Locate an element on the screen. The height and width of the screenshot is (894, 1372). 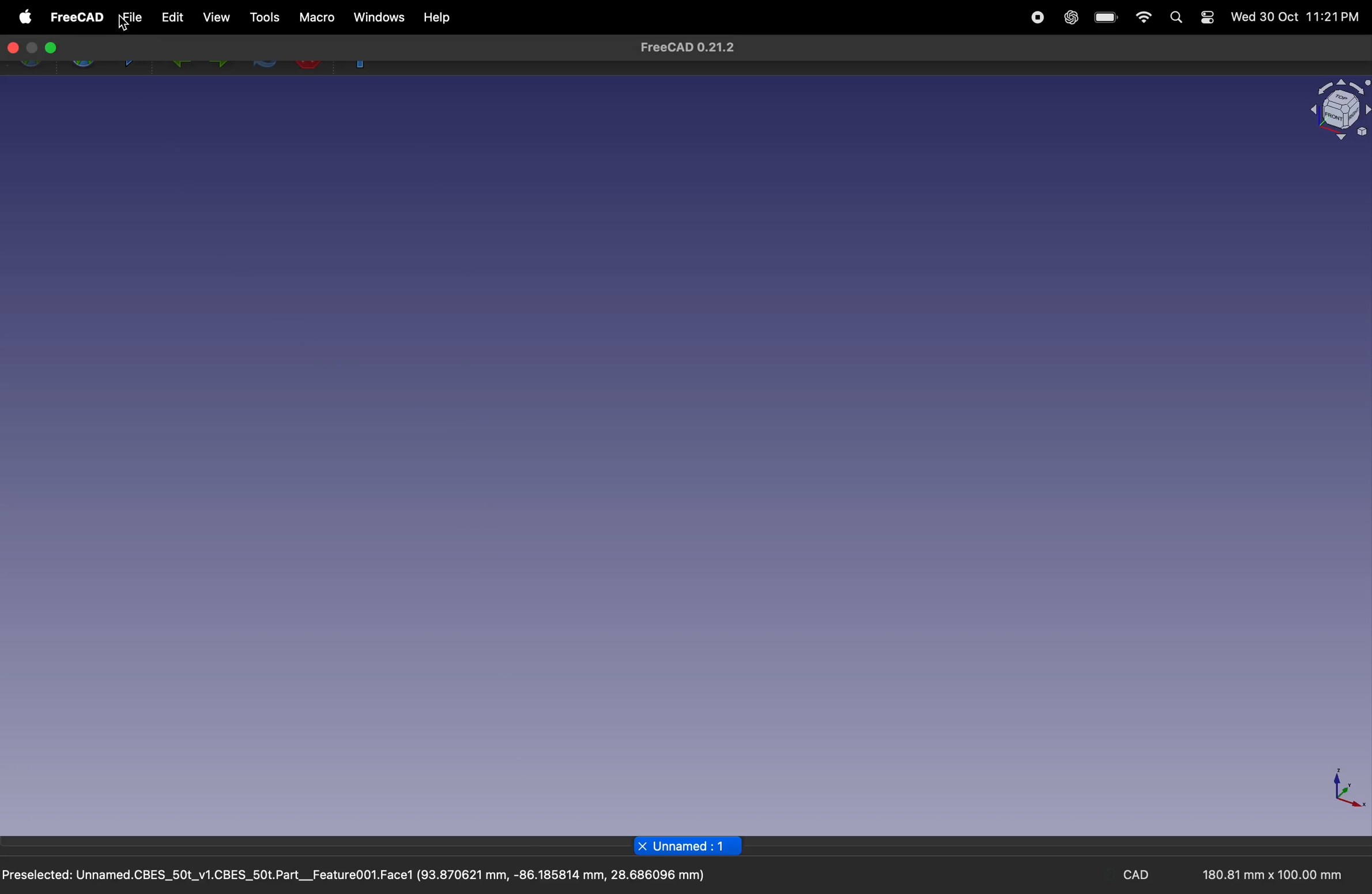
180.81 mm x 100.00 mm is located at coordinates (1268, 875).